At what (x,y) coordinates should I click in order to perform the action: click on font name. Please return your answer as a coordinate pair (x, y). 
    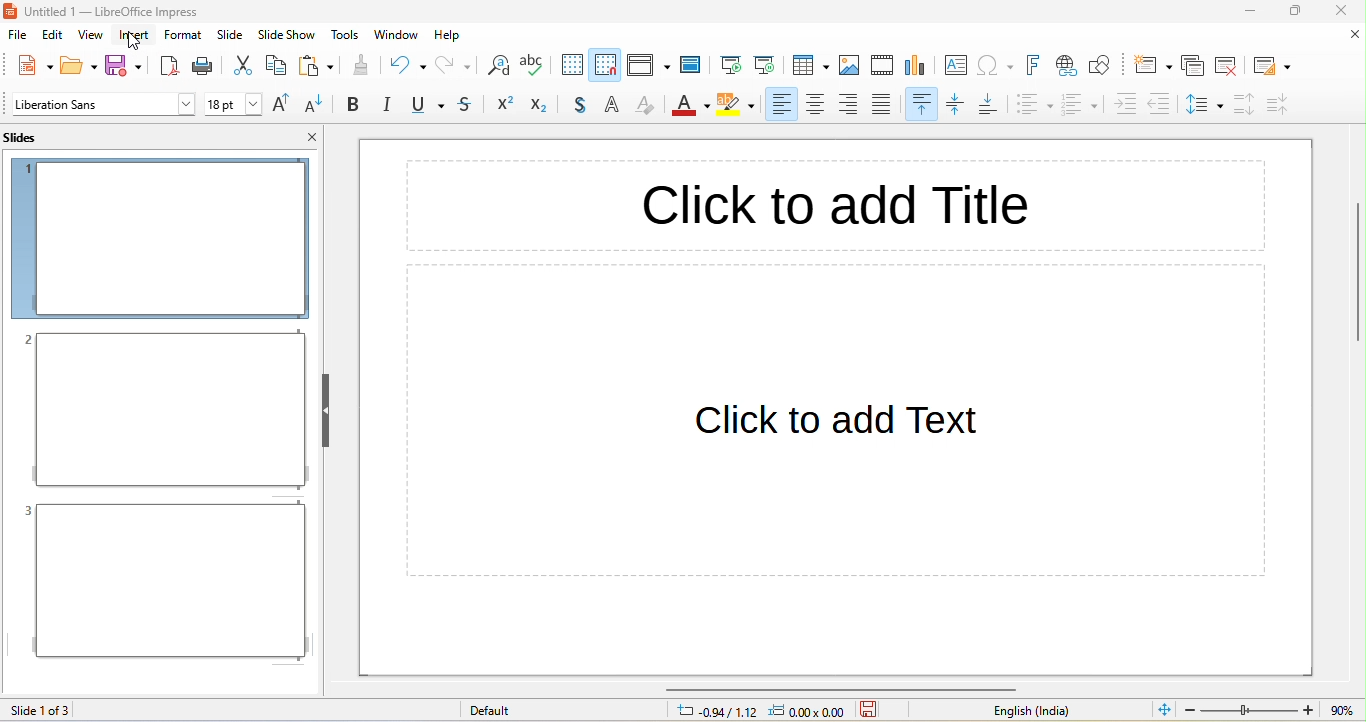
    Looking at the image, I should click on (103, 104).